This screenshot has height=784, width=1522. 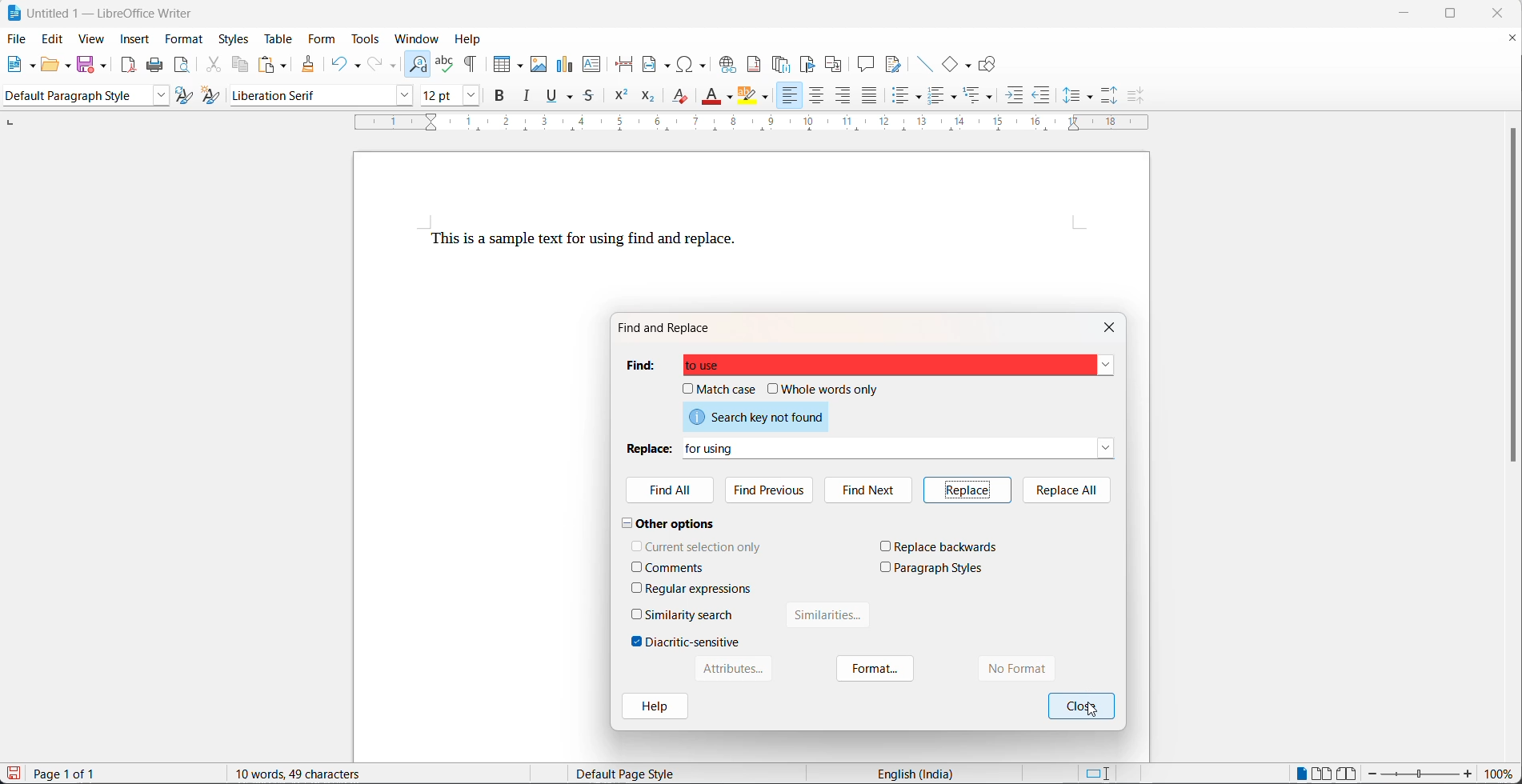 I want to click on standard selection, so click(x=1097, y=773).